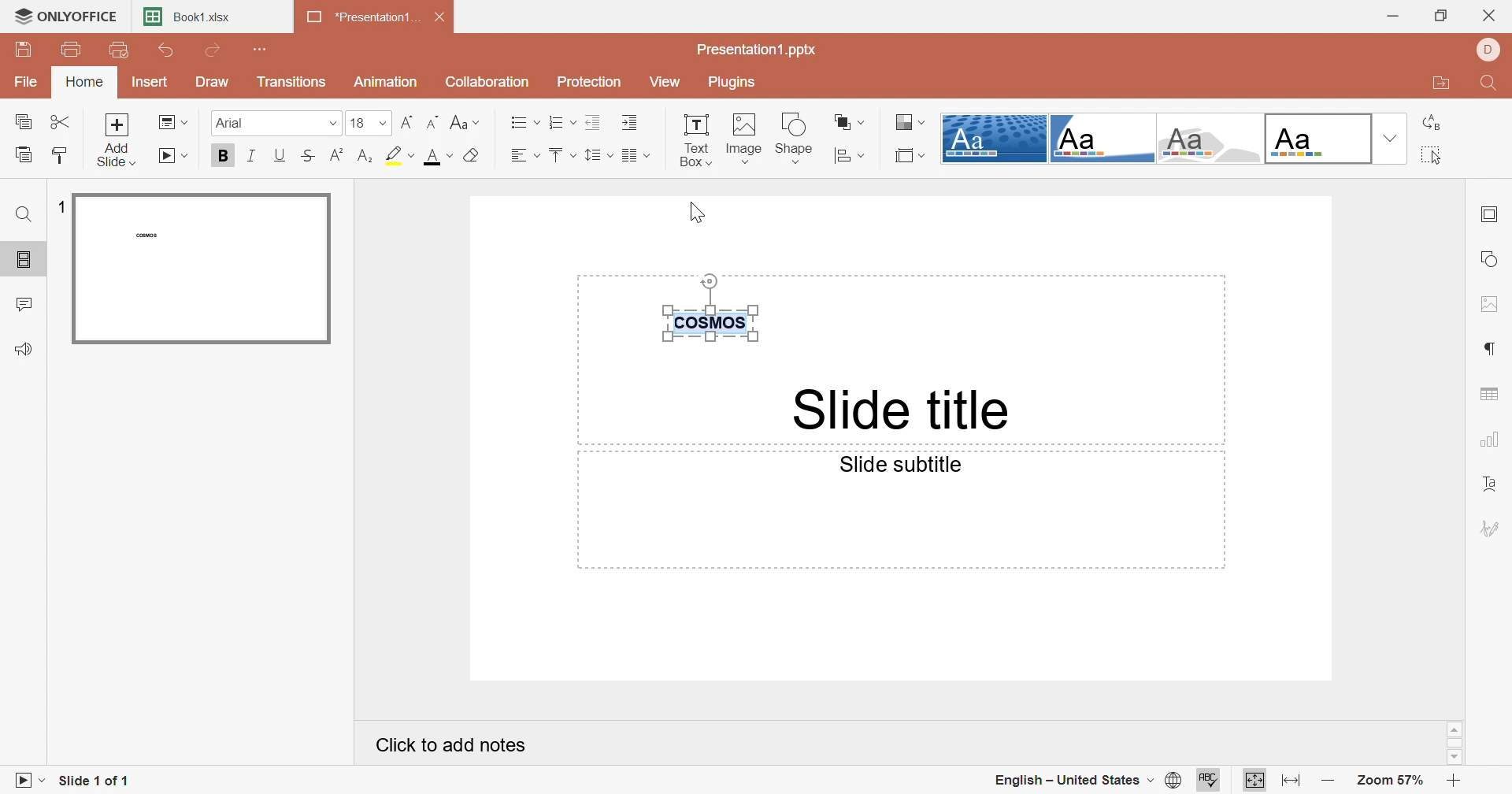 The width and height of the screenshot is (1512, 794). Describe the element at coordinates (754, 49) in the screenshot. I see `Presentation1.pptx` at that location.